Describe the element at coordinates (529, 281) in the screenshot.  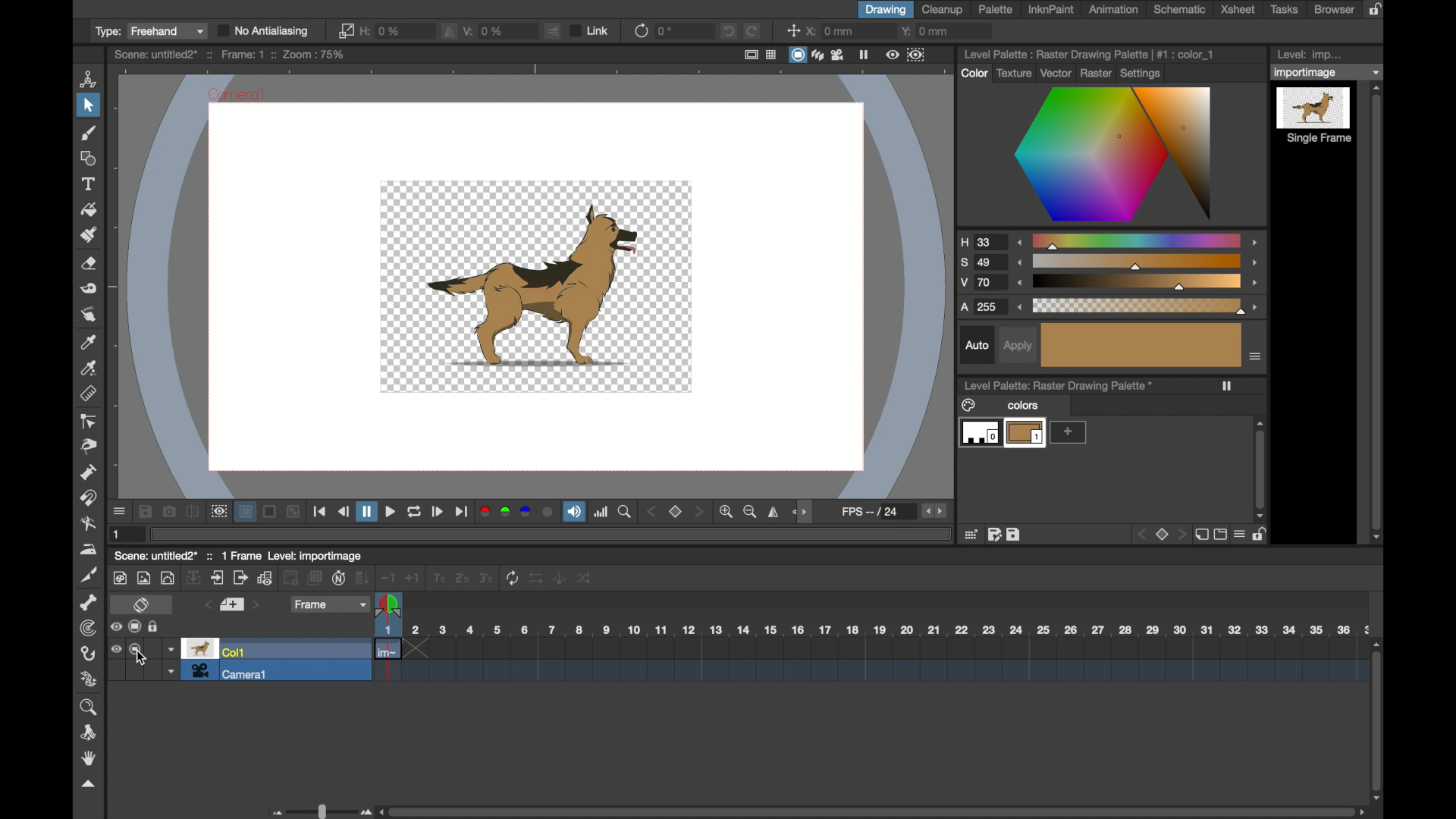
I see `canvas` at that location.